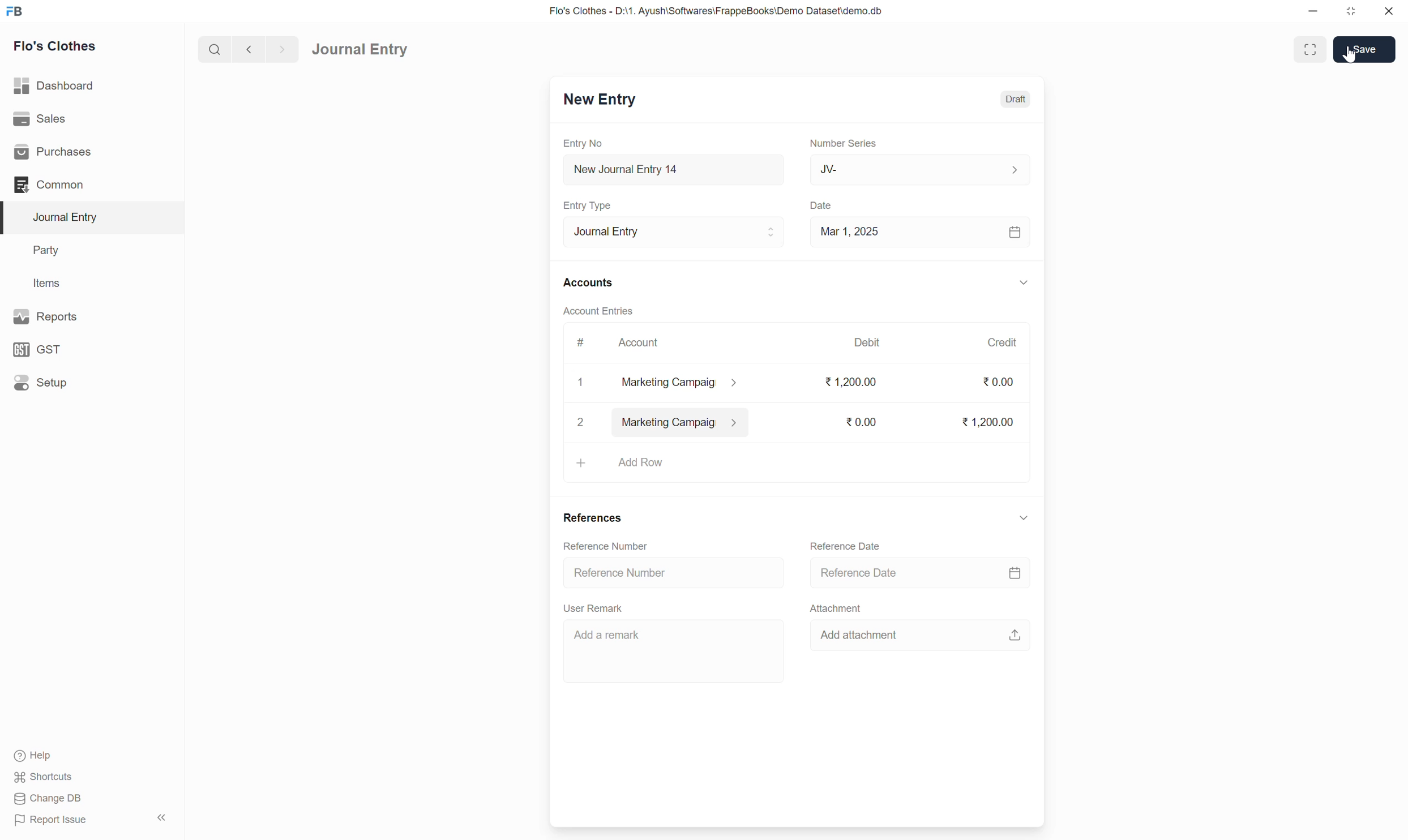  What do you see at coordinates (824, 206) in the screenshot?
I see `Date` at bounding box center [824, 206].